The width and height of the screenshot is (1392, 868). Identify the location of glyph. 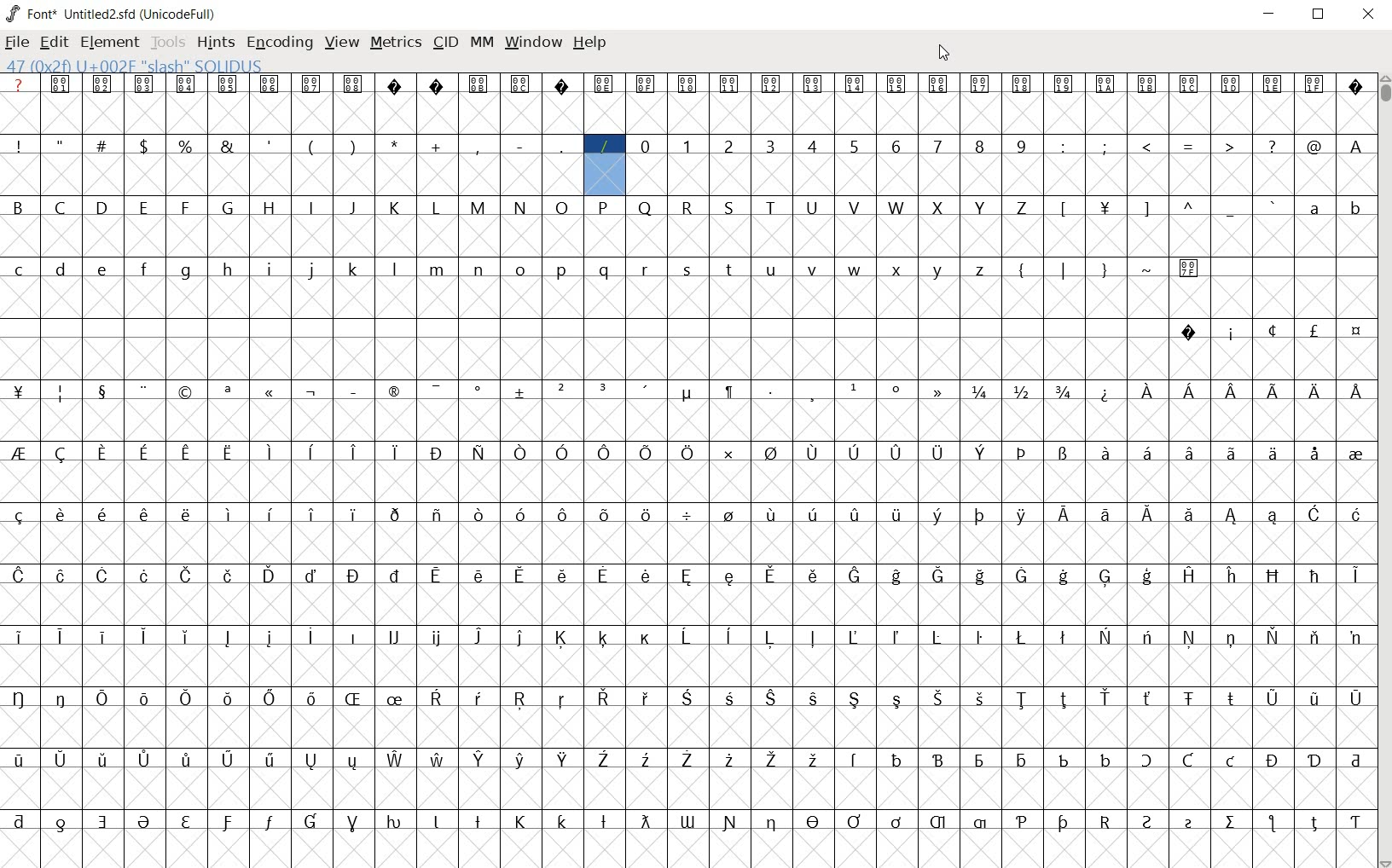
(312, 393).